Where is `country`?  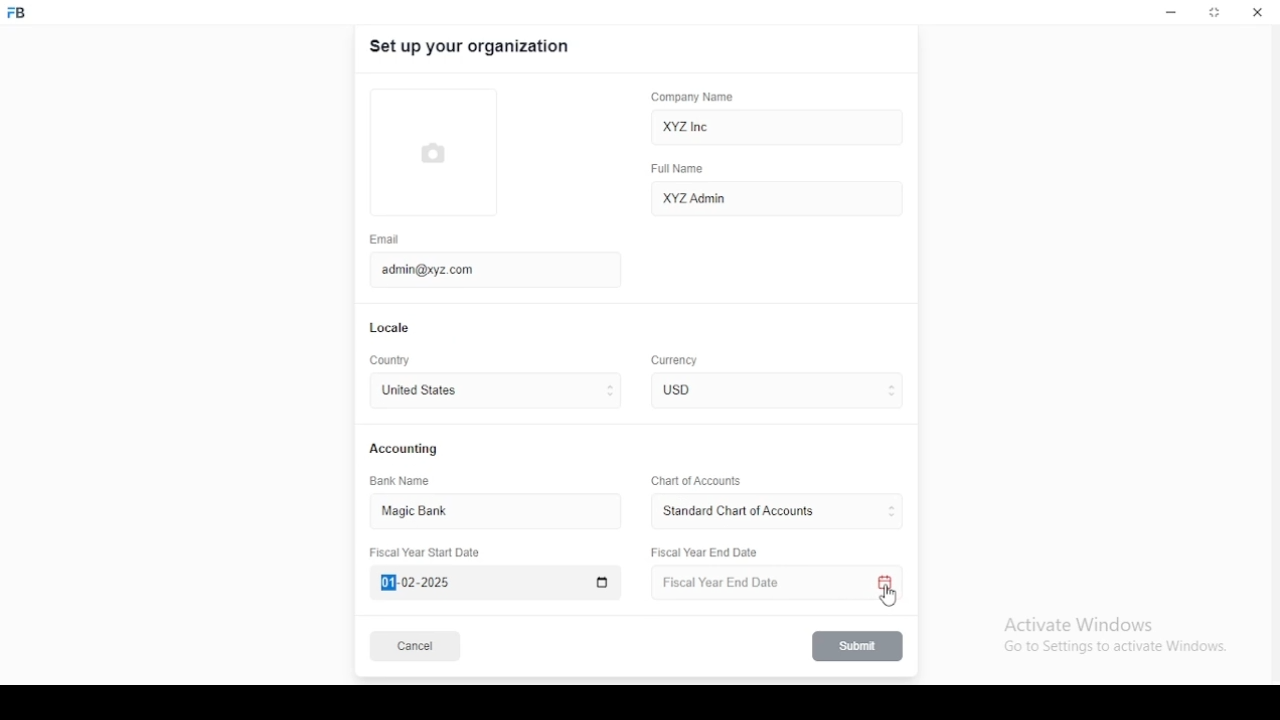 country is located at coordinates (392, 361).